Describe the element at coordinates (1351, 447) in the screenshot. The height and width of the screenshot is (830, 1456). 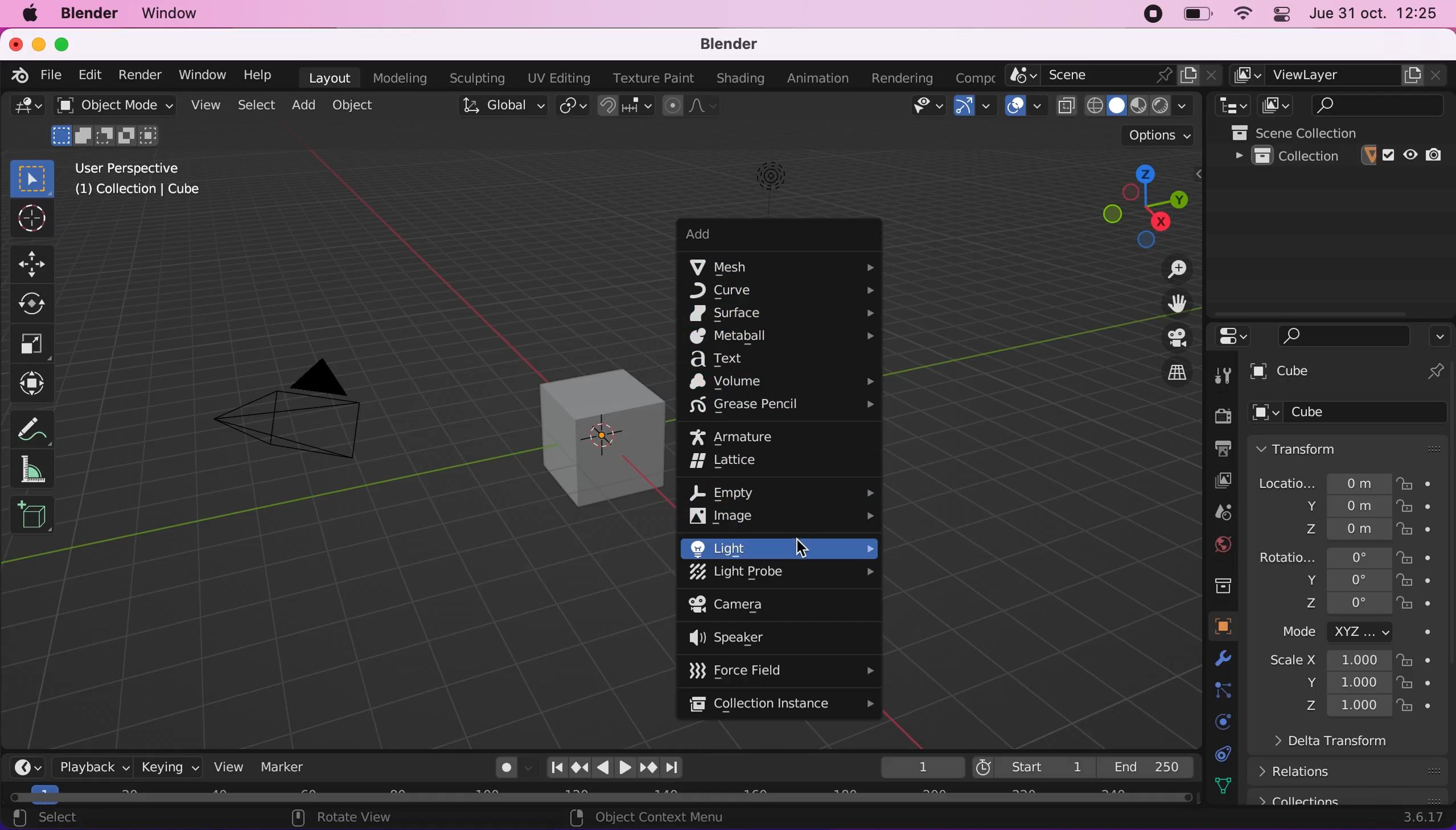
I see `transform` at that location.